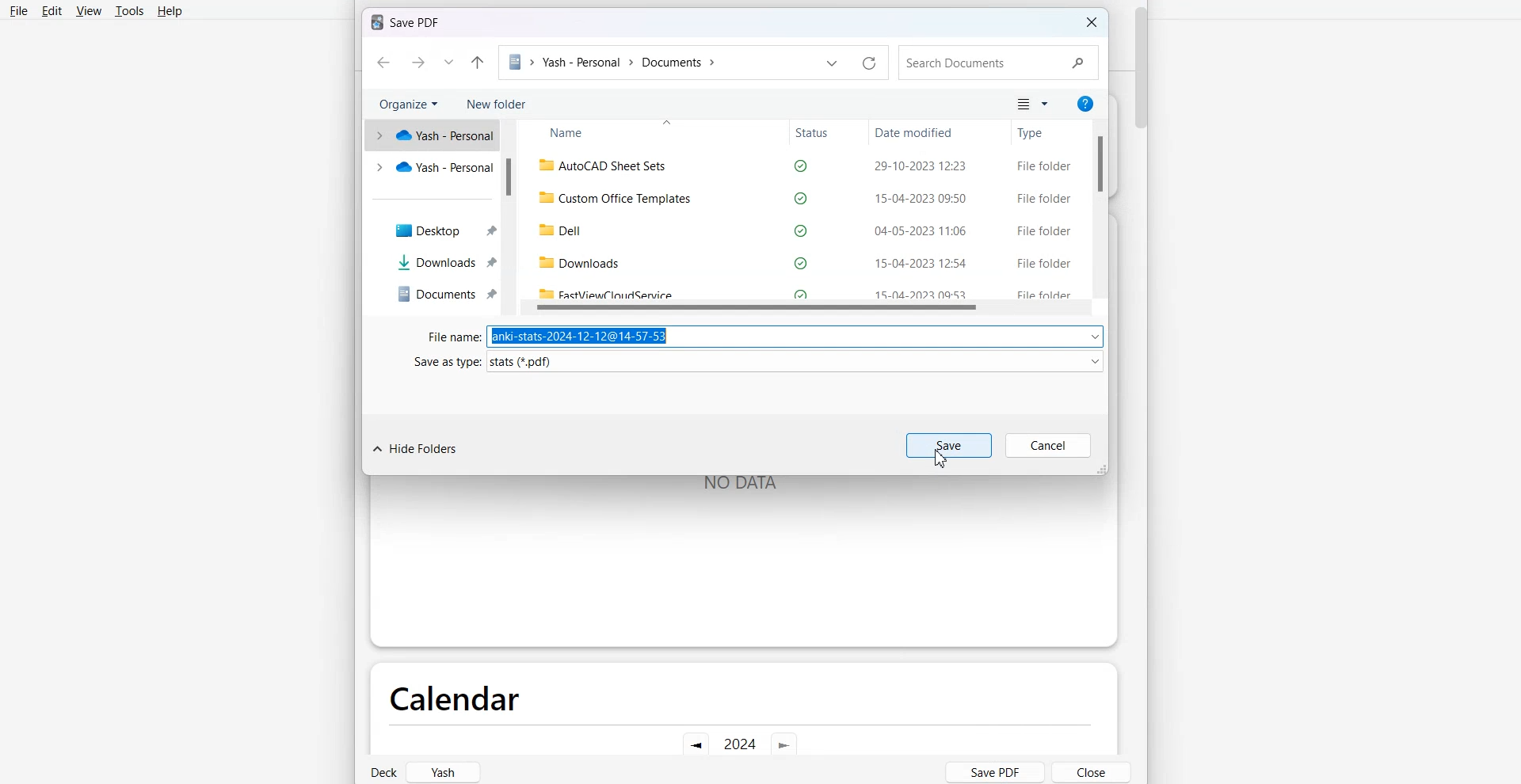  Describe the element at coordinates (921, 131) in the screenshot. I see `Date modified` at that location.